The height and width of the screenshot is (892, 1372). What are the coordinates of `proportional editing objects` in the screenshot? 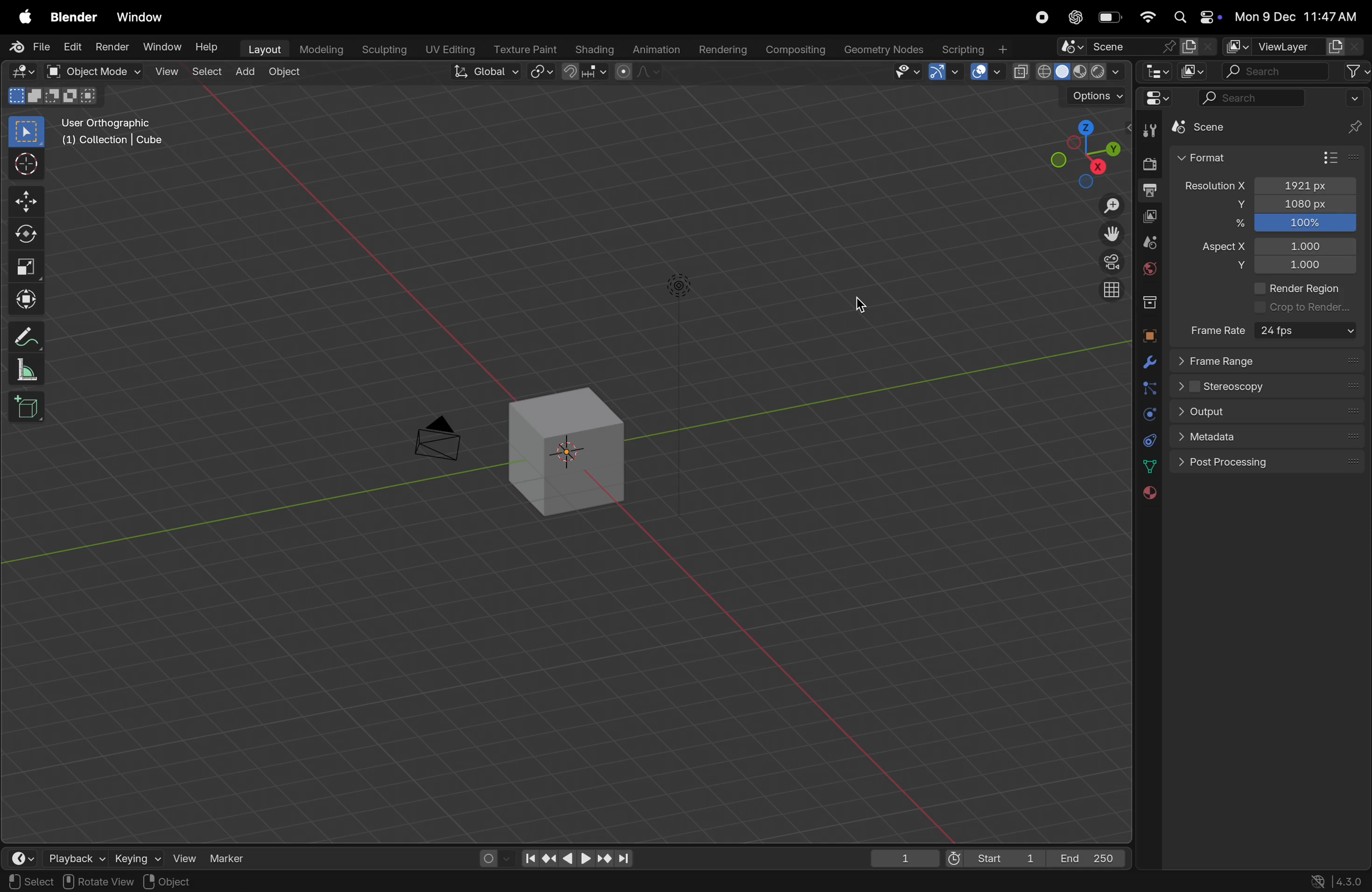 It's located at (636, 73).